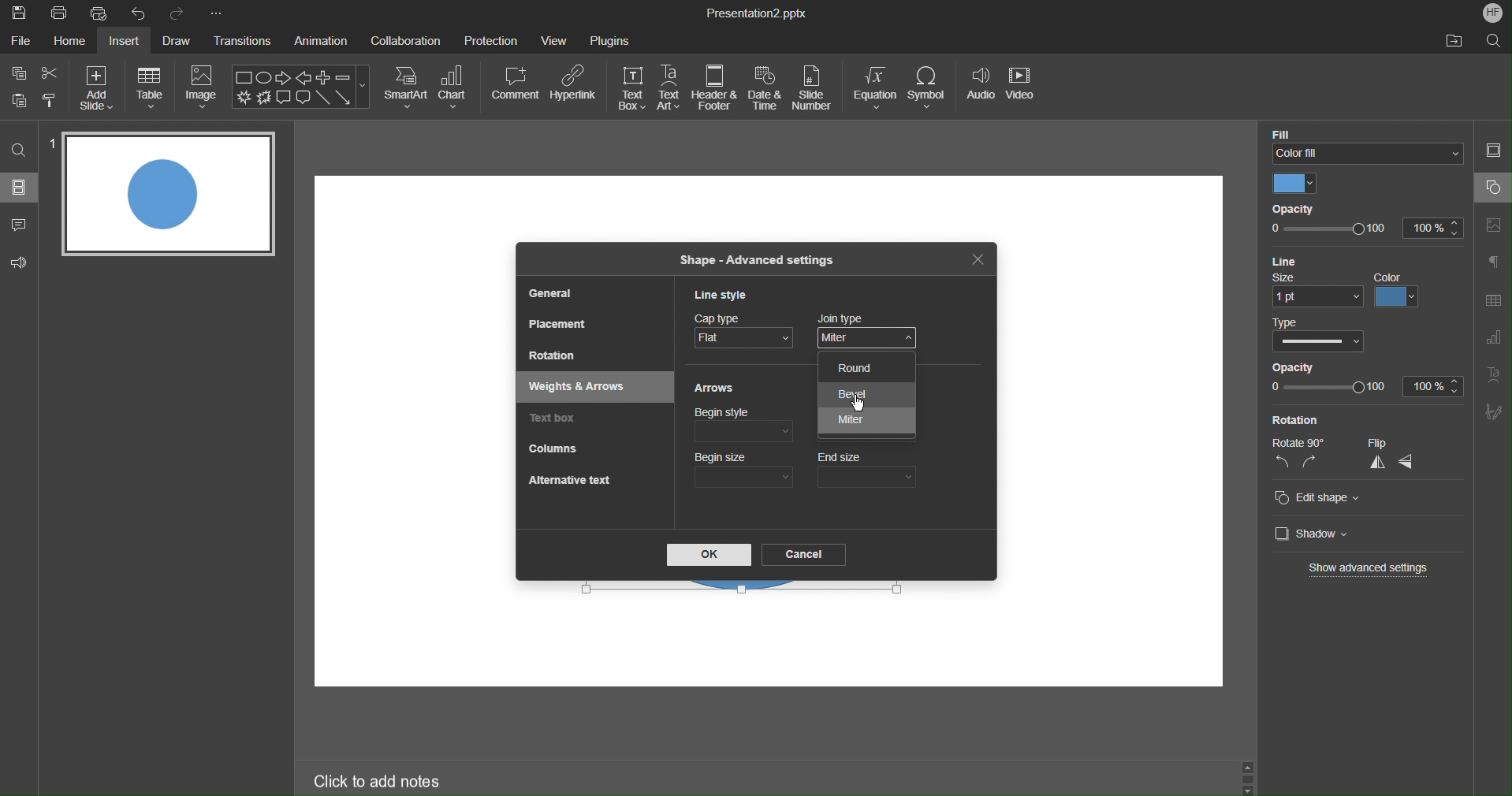 This screenshot has height=796, width=1512. Describe the element at coordinates (1281, 464) in the screenshot. I see `left` at that location.